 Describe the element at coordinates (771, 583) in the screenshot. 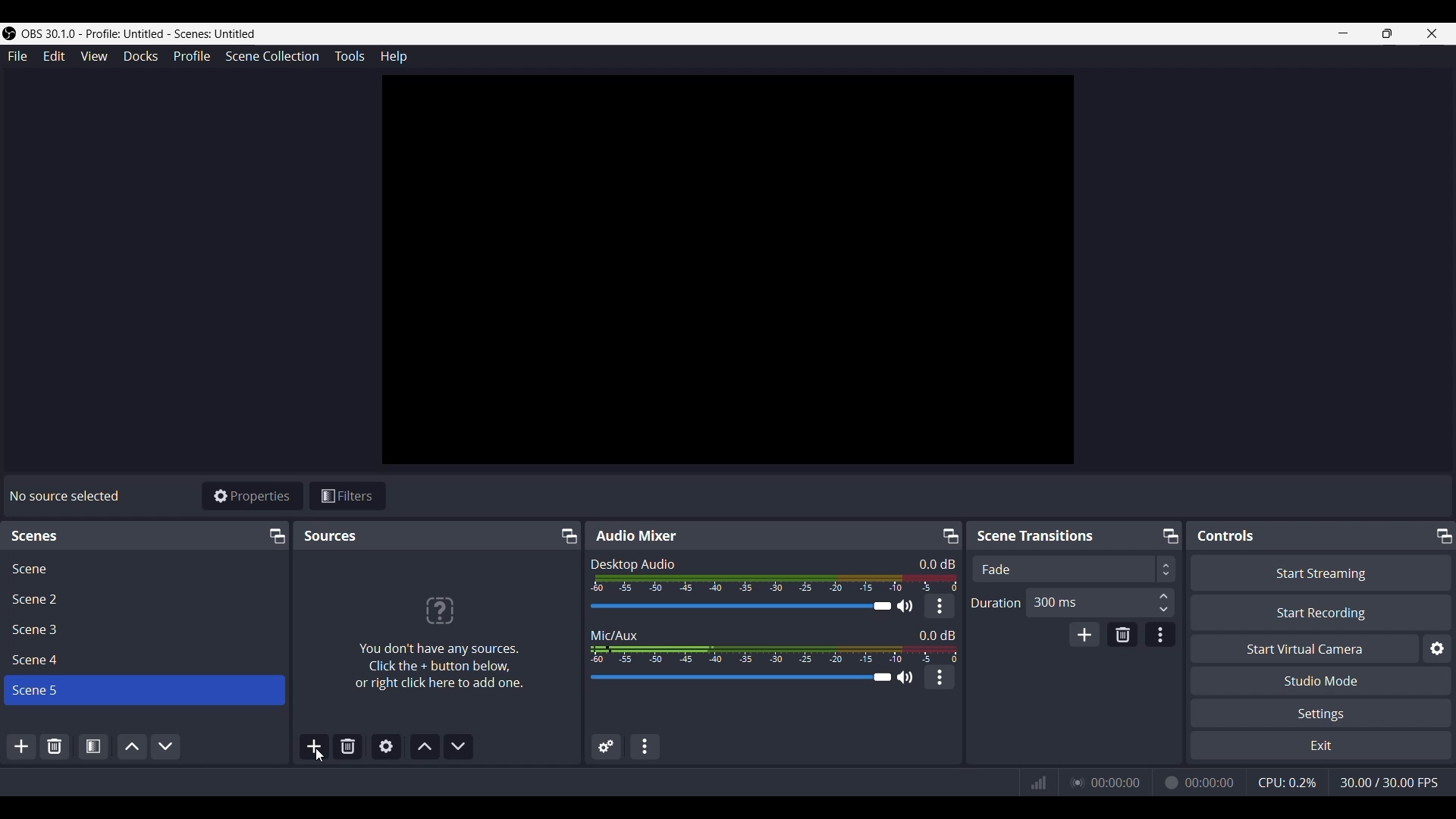

I see `Sound Indicator` at that location.